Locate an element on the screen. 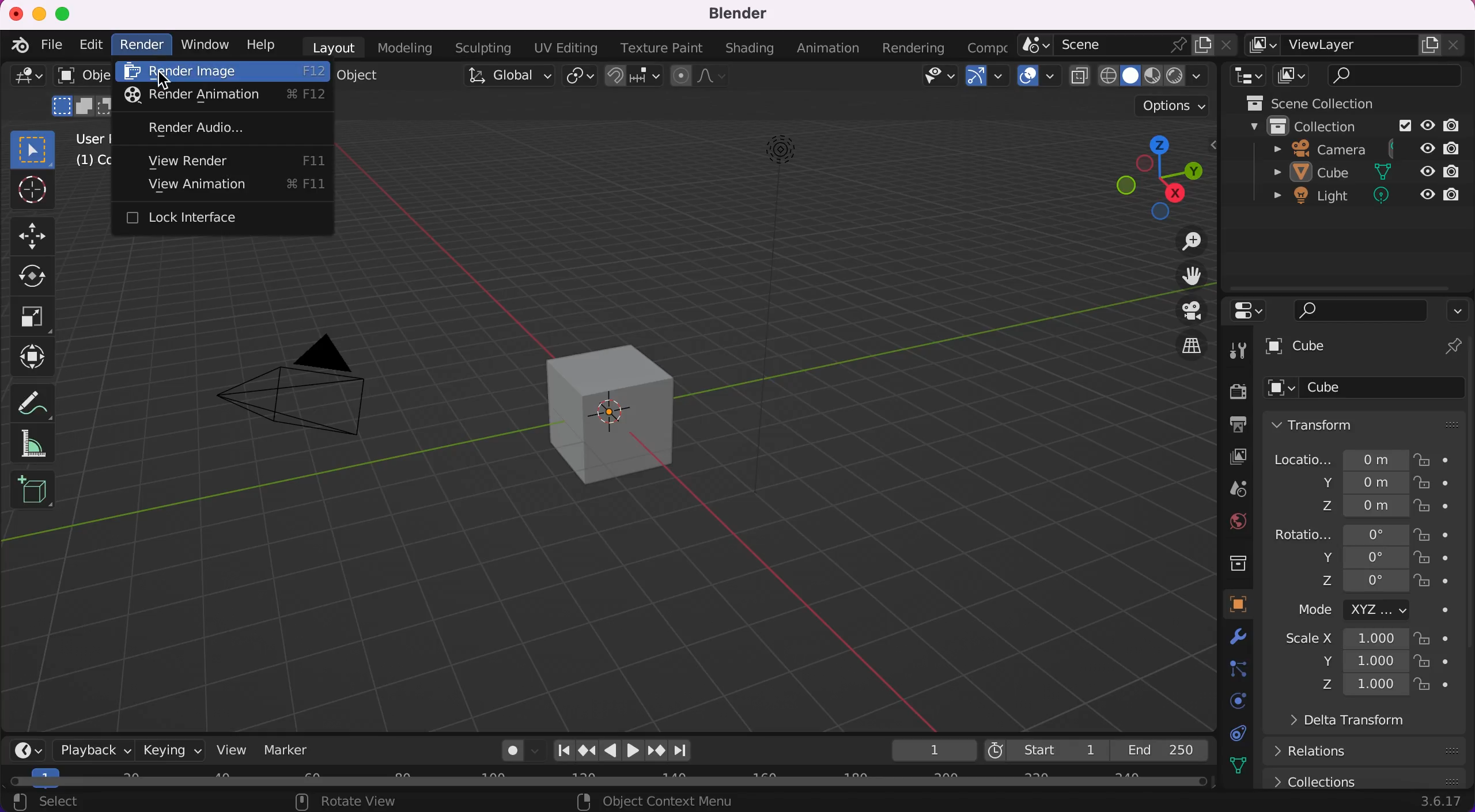 The height and width of the screenshot is (812, 1475). constraints is located at coordinates (1236, 733).